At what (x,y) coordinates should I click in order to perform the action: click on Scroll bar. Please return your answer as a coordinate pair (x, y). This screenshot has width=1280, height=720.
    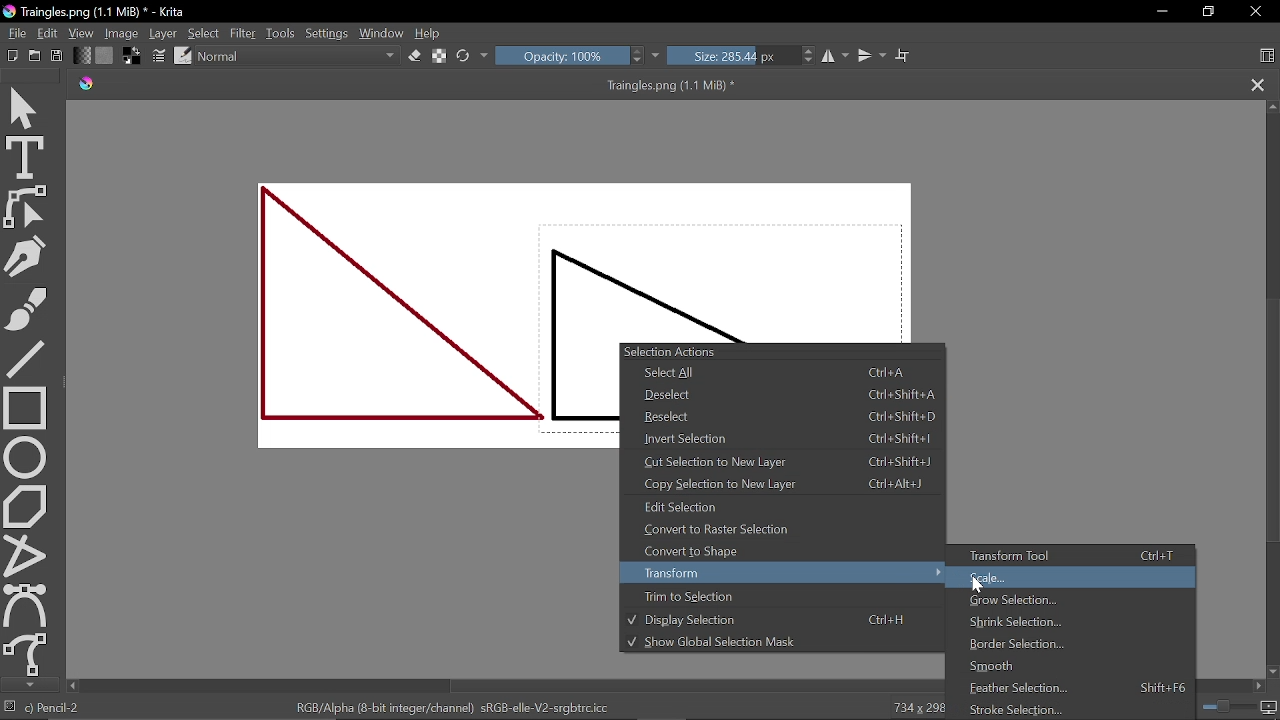
    Looking at the image, I should click on (1270, 388).